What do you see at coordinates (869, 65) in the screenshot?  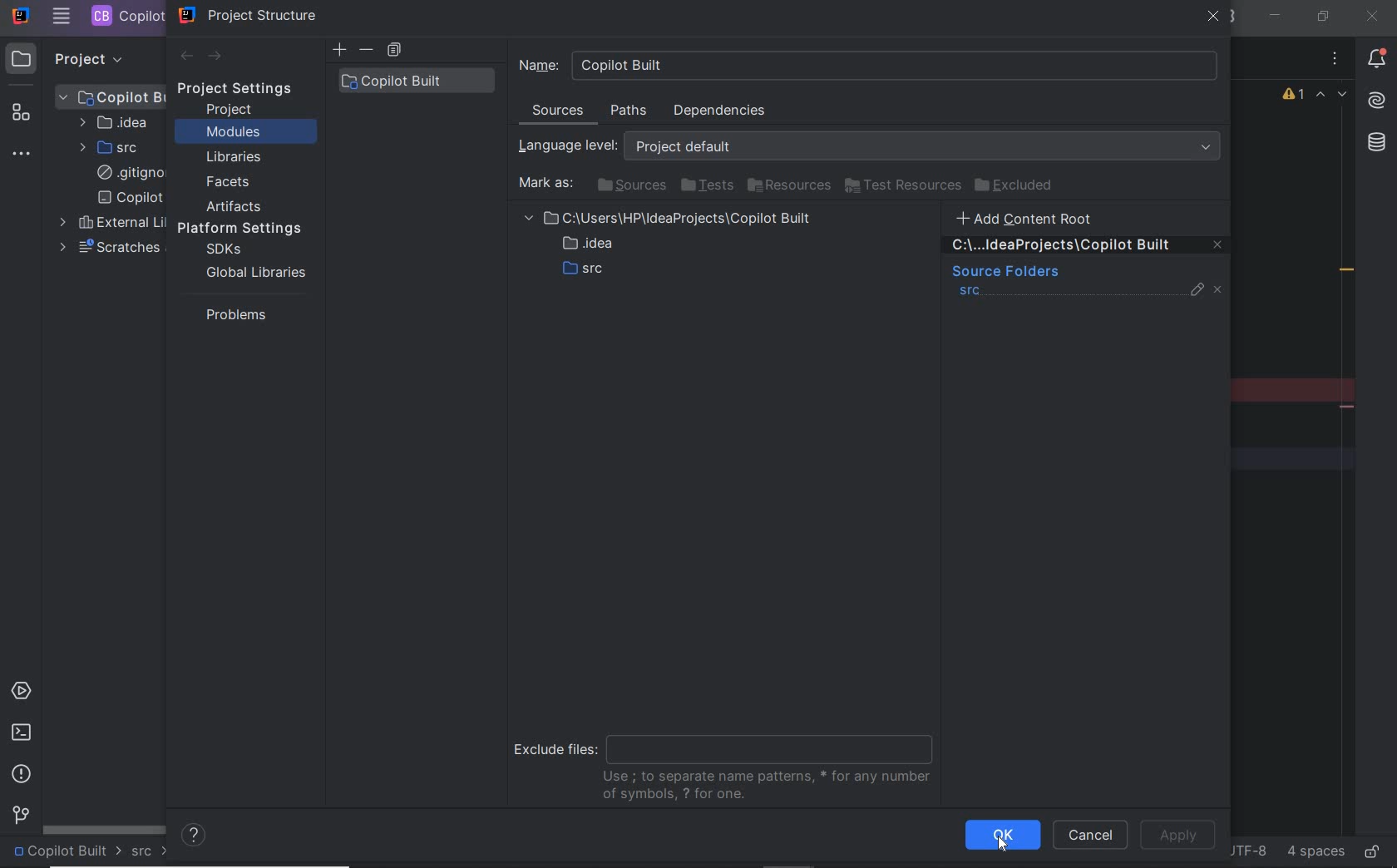 I see `Name` at bounding box center [869, 65].